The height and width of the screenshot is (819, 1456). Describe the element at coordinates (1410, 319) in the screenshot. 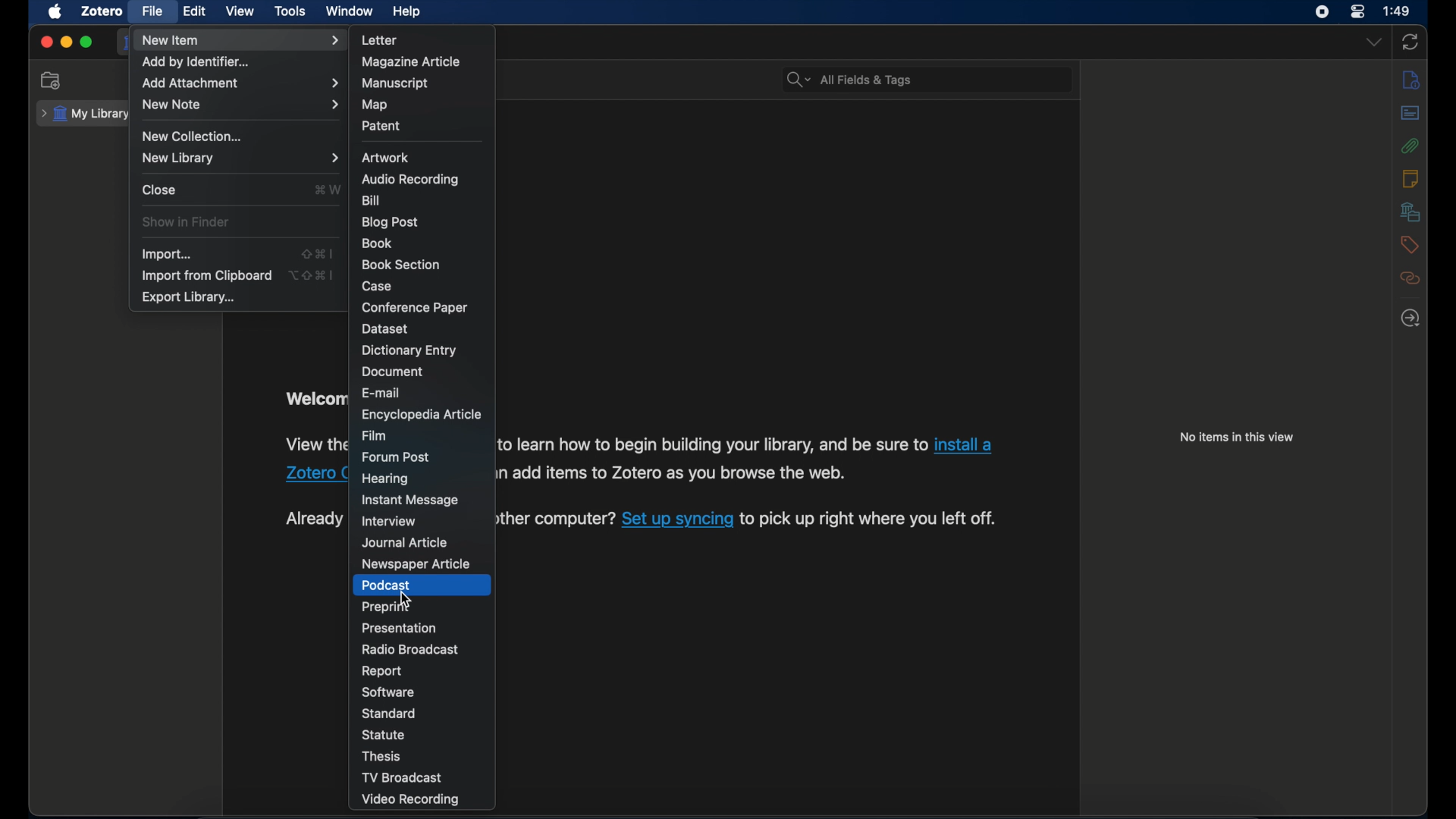

I see `locate` at that location.